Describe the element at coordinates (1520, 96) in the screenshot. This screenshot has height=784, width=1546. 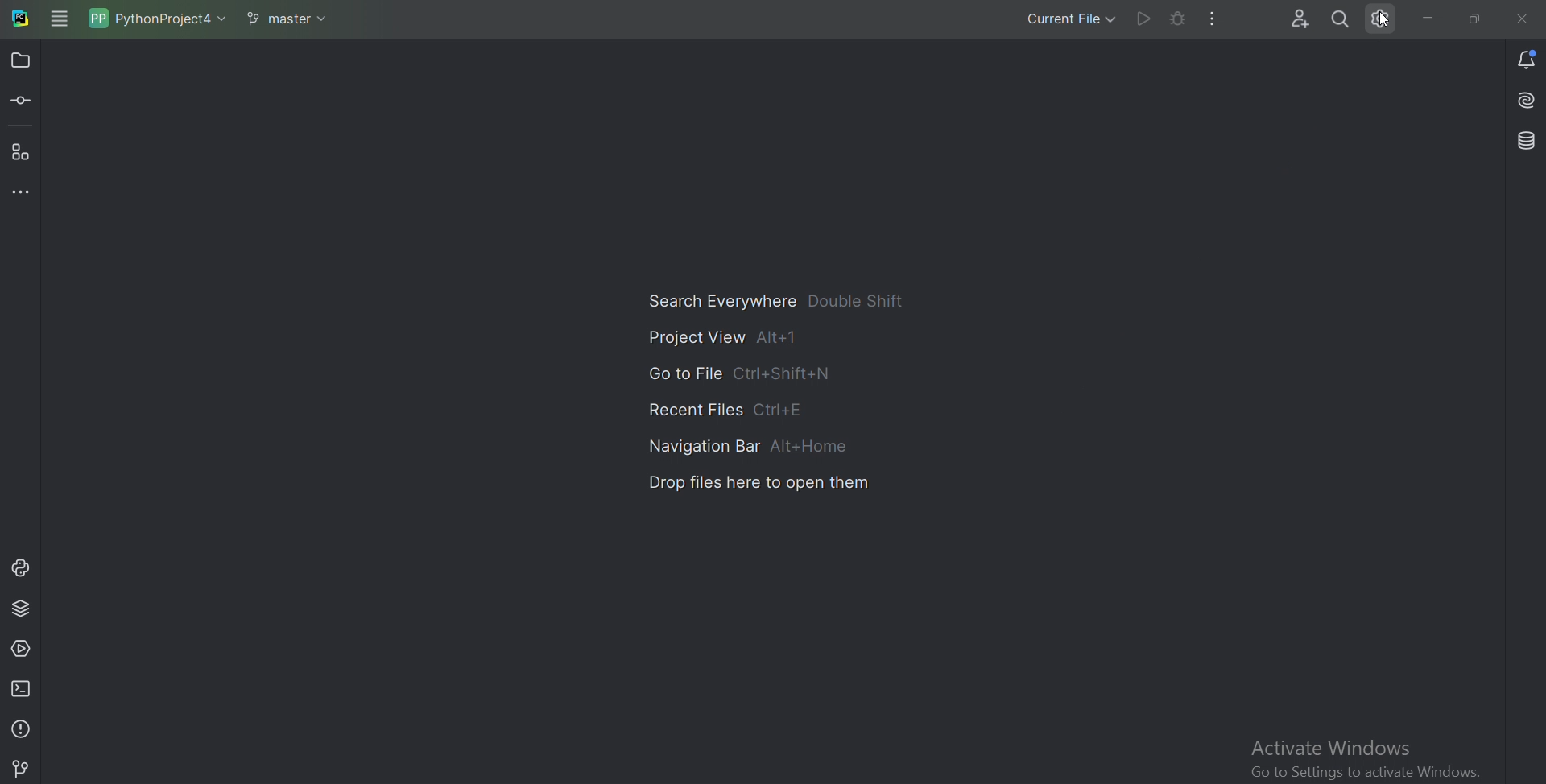
I see `Install AI assistant` at that location.